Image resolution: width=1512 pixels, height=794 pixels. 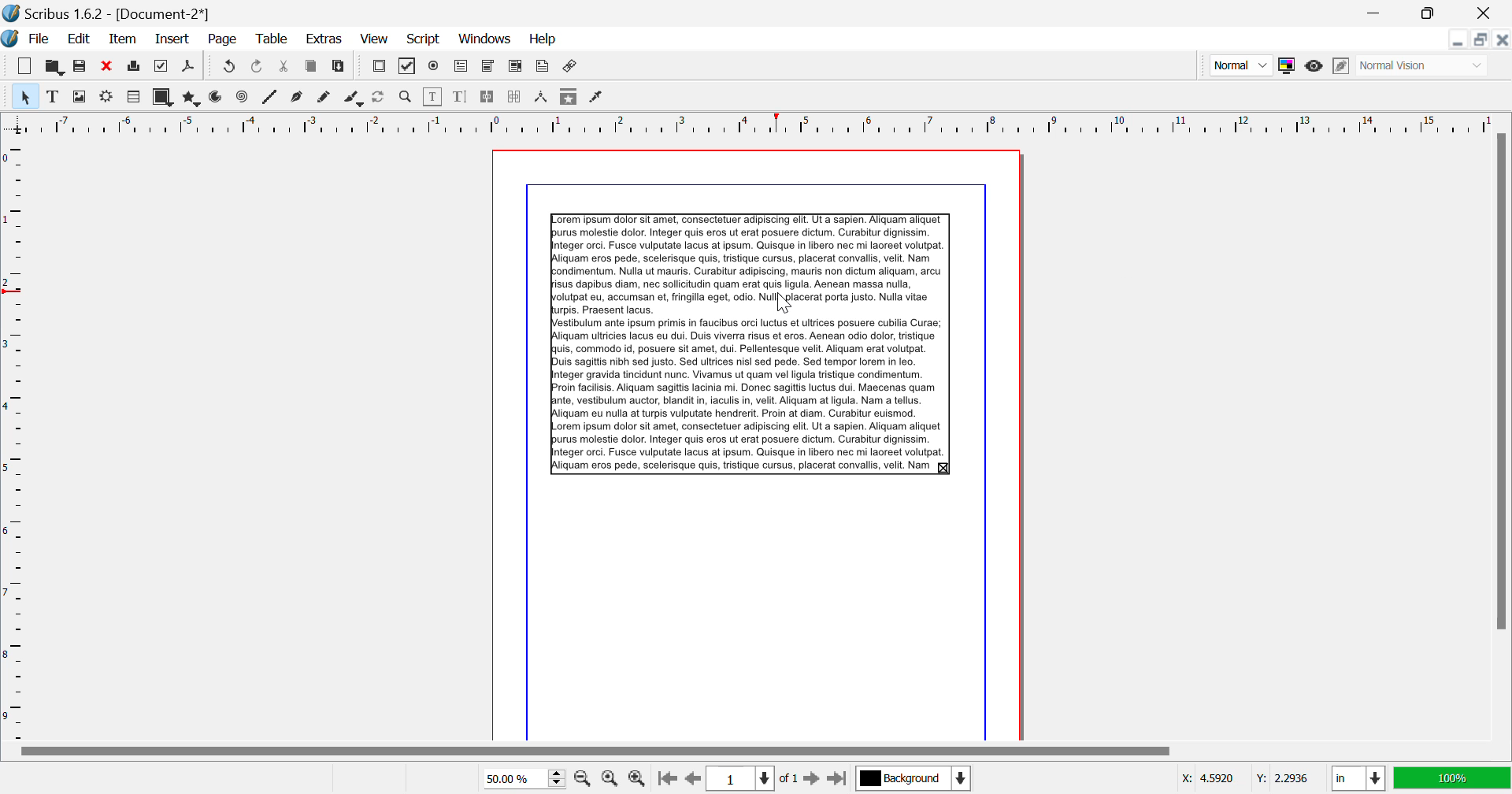 What do you see at coordinates (543, 98) in the screenshot?
I see `Measurements` at bounding box center [543, 98].